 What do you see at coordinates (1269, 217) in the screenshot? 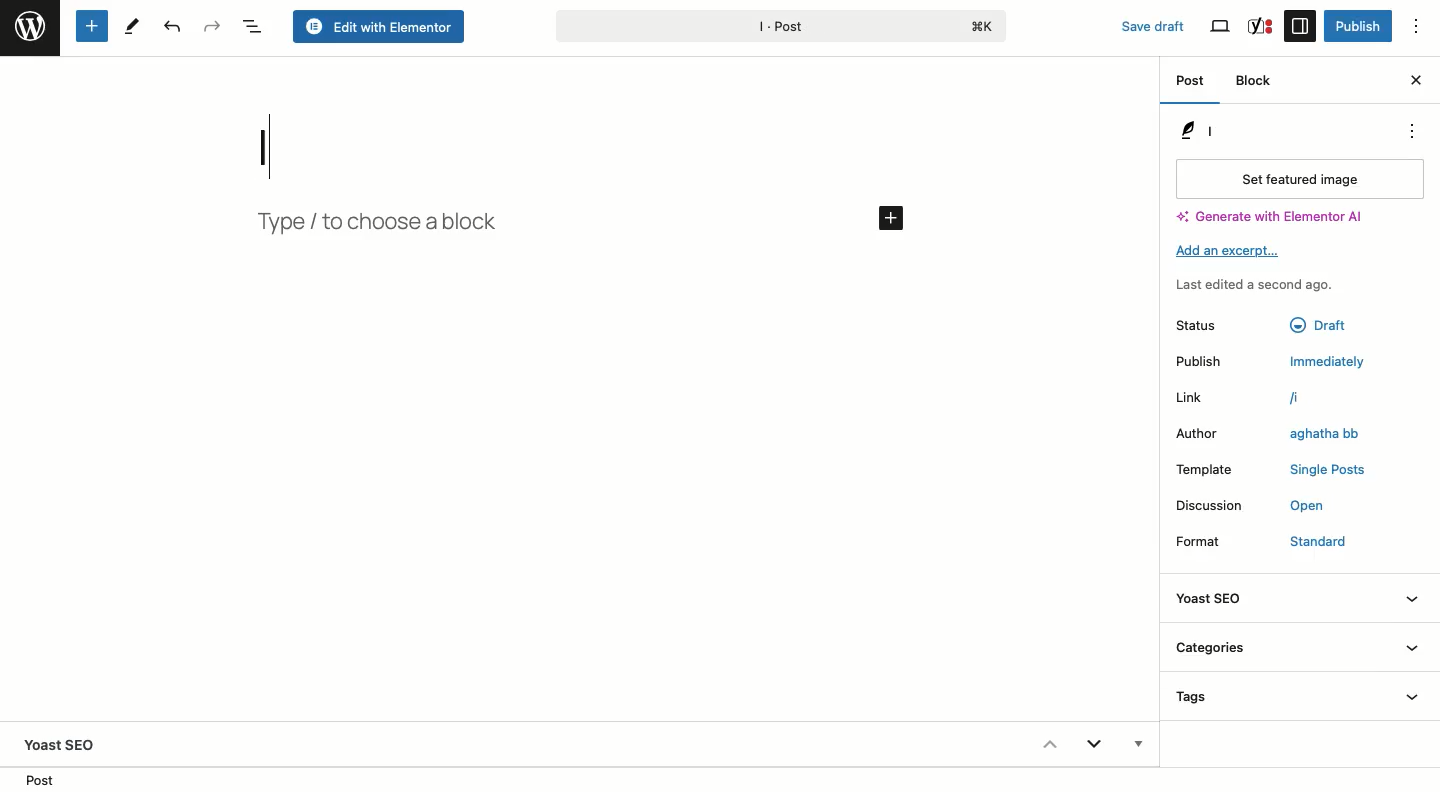
I see `Generate with Elementor Al` at bounding box center [1269, 217].